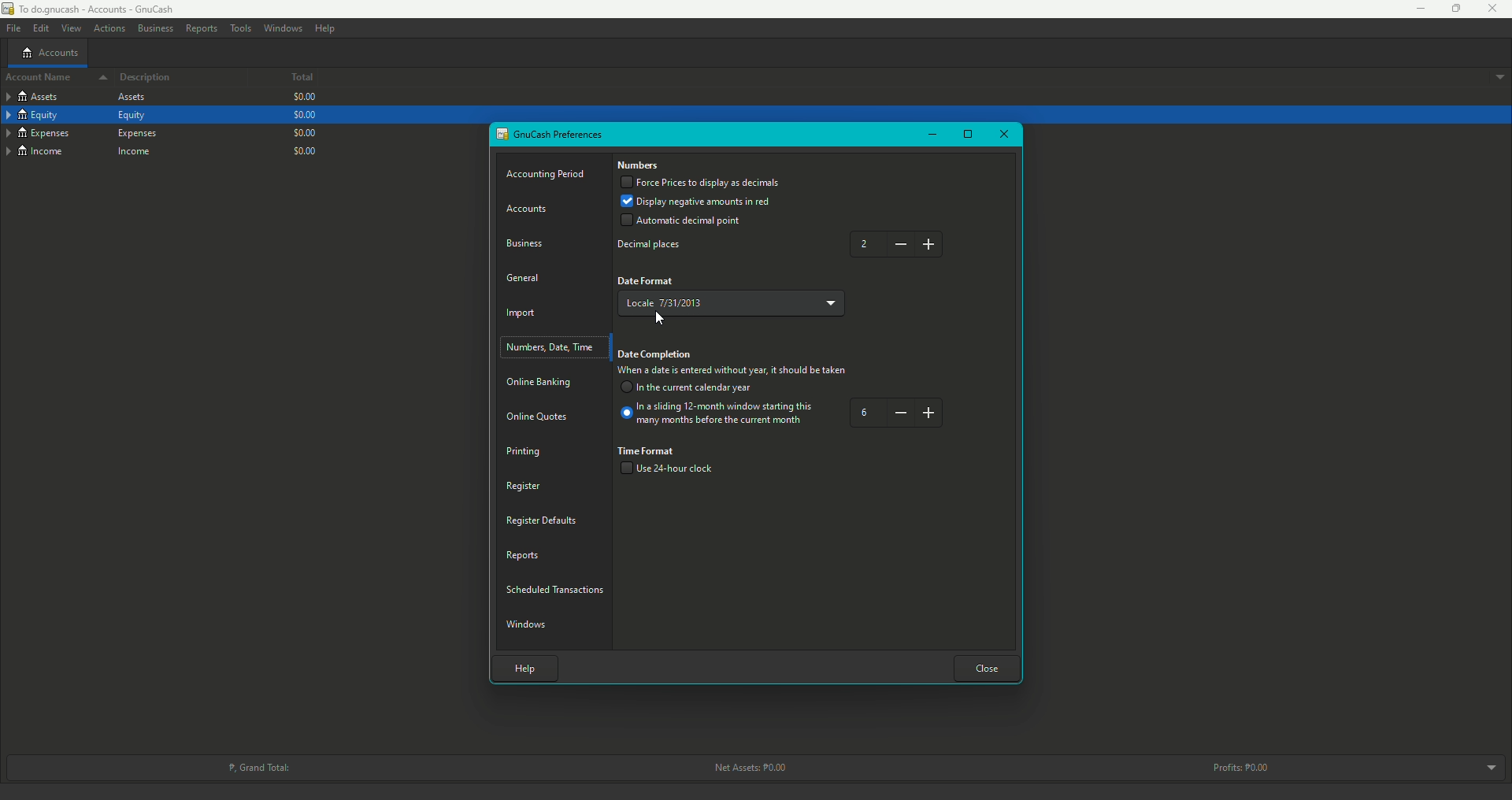 This screenshot has height=800, width=1512. Describe the element at coordinates (747, 768) in the screenshot. I see `Net Assets` at that location.